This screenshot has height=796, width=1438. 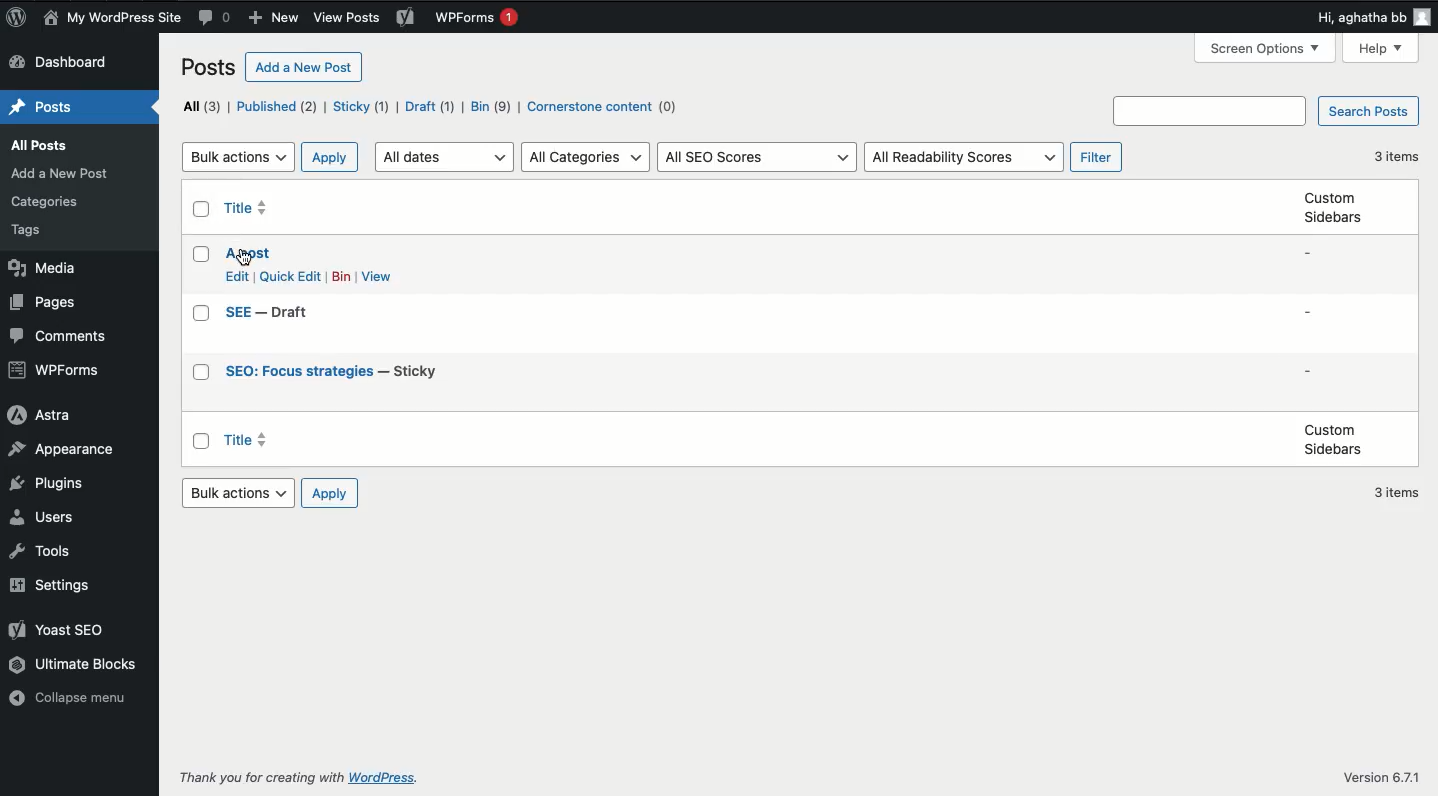 I want to click on Ultimate blocks, so click(x=72, y=669).